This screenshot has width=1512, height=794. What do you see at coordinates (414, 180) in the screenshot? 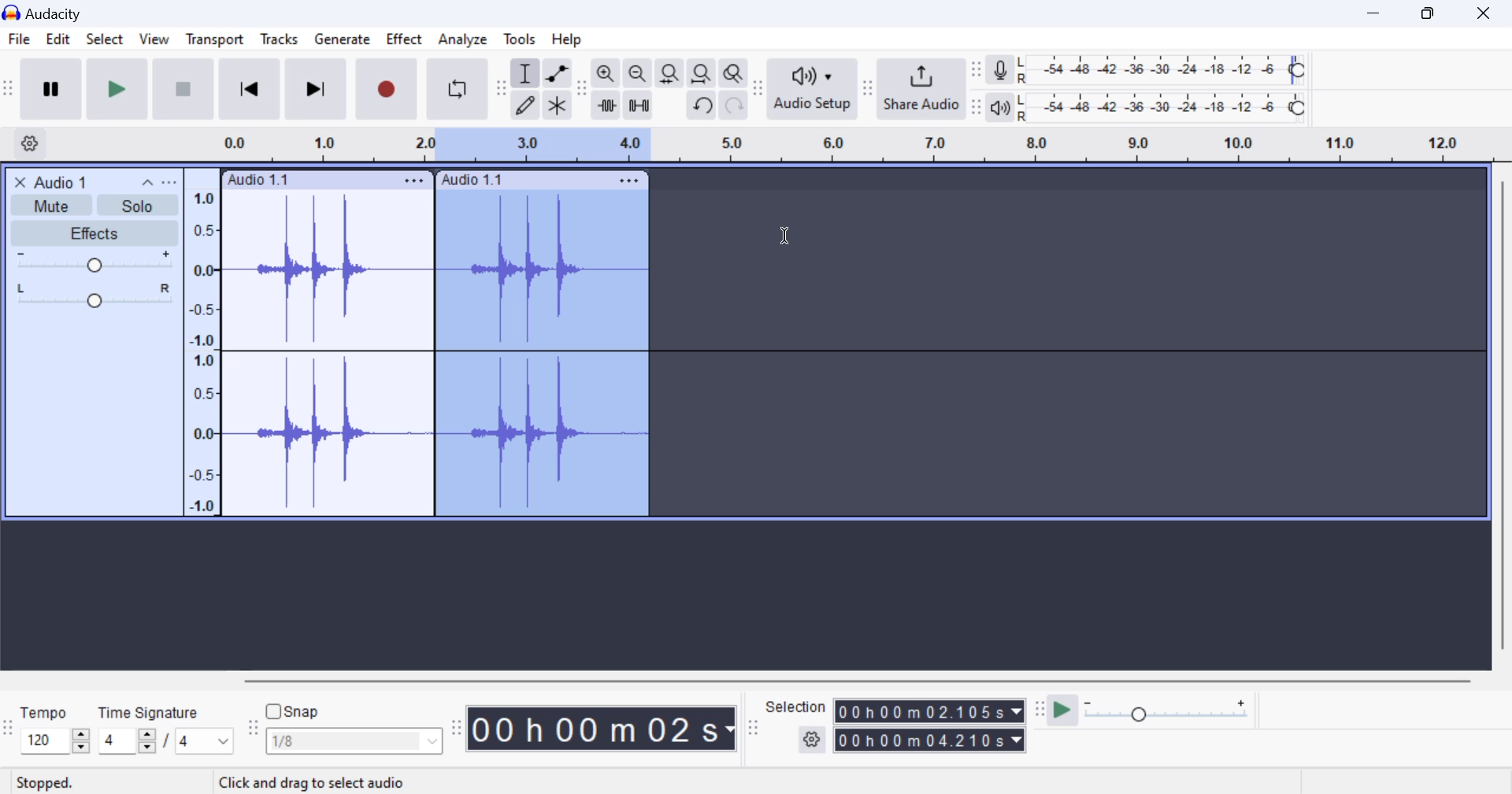
I see `Clip Settings` at bounding box center [414, 180].